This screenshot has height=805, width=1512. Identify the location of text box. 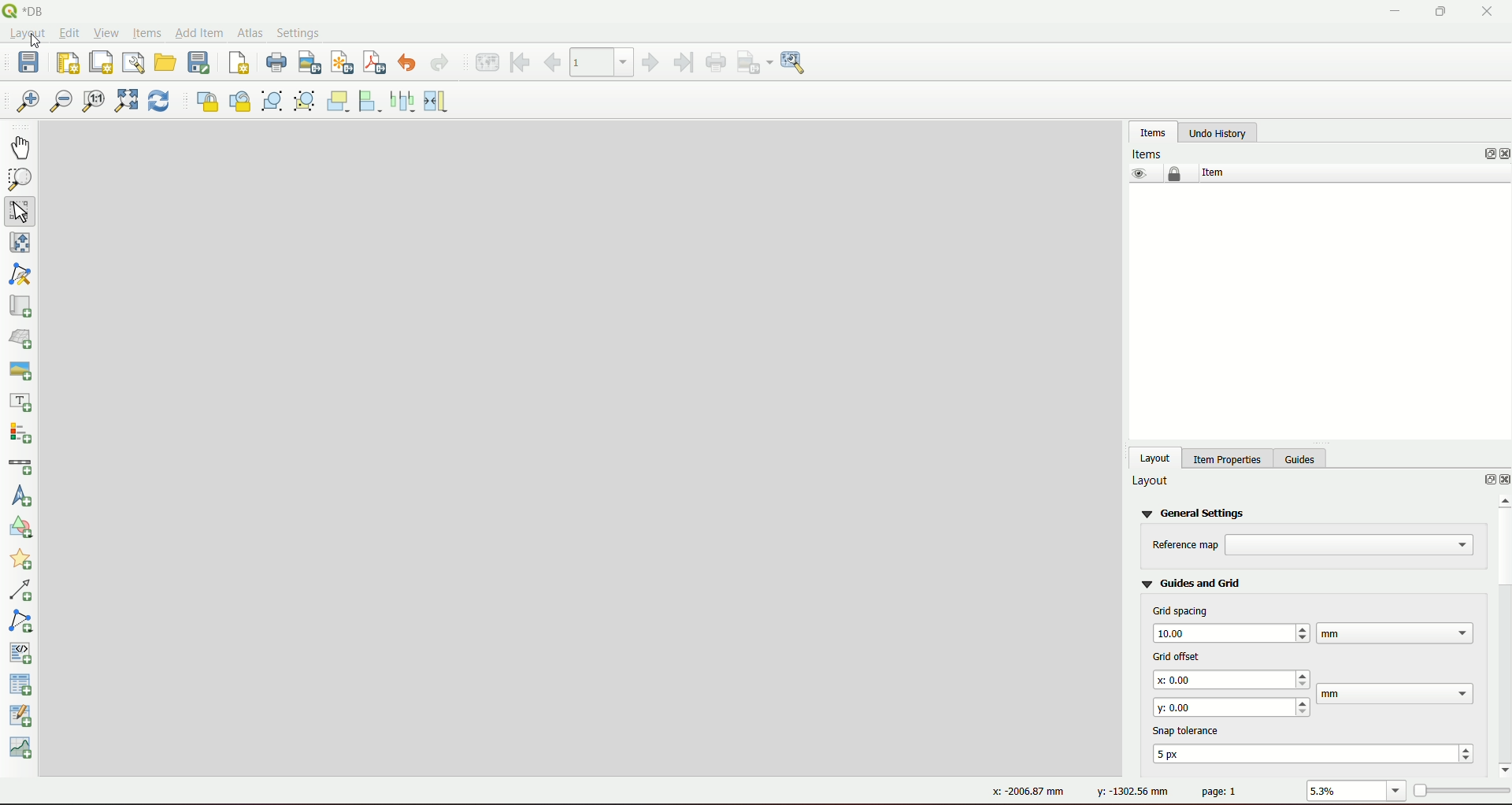
(1233, 680).